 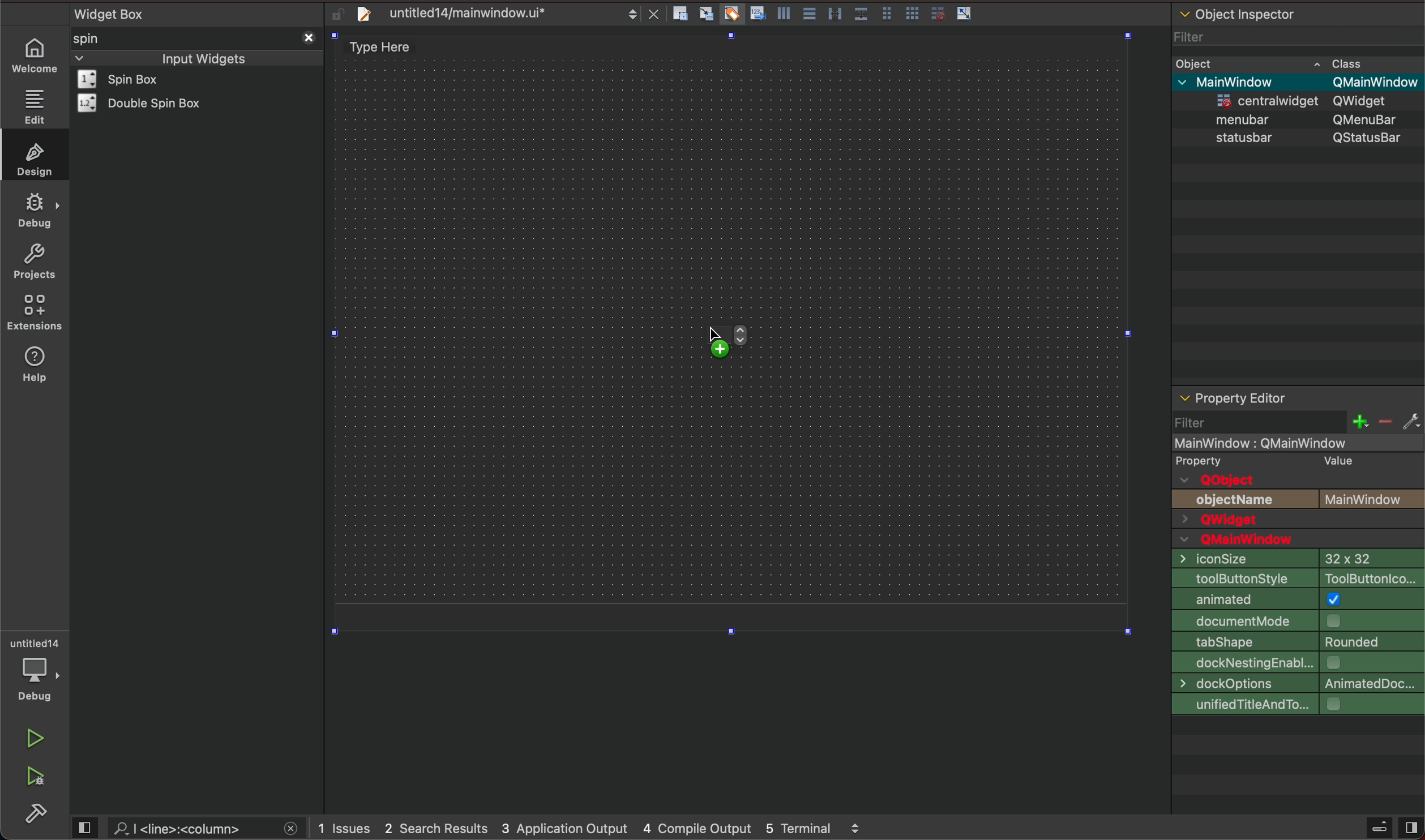 What do you see at coordinates (713, 337) in the screenshot?
I see `cursor` at bounding box center [713, 337].